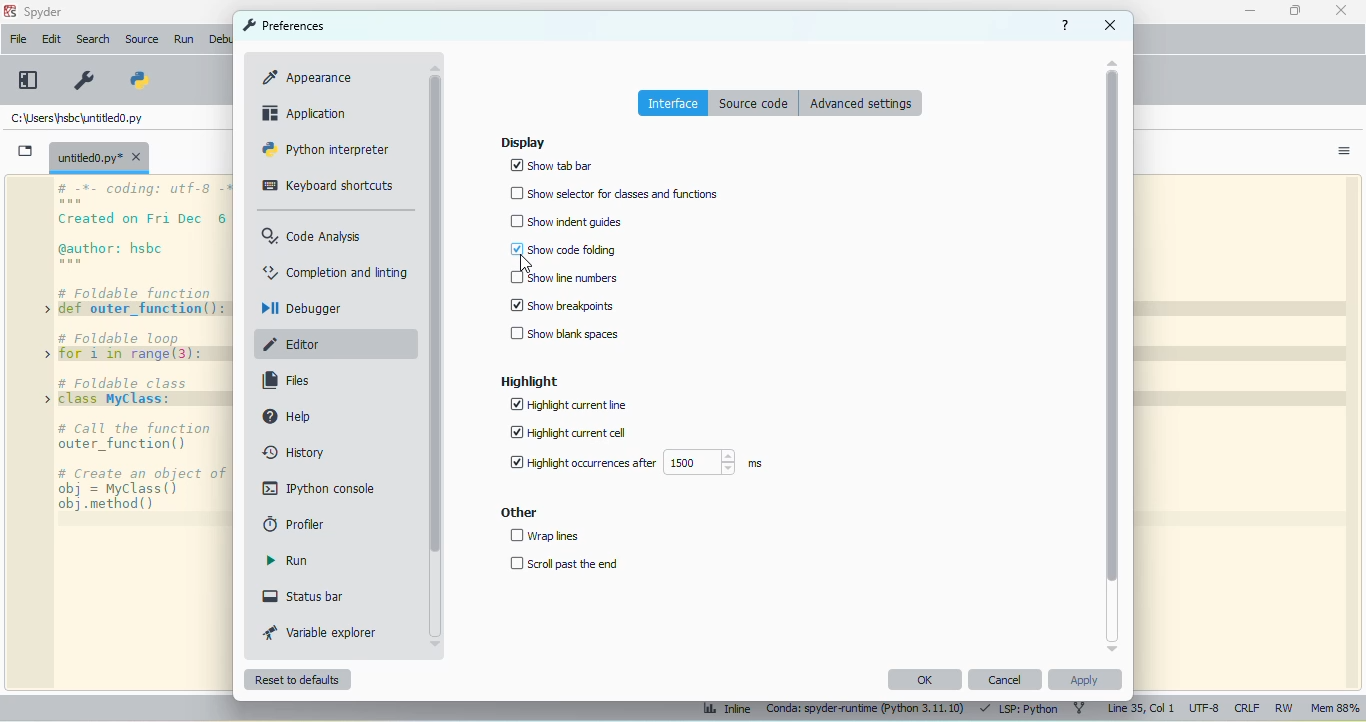 This screenshot has height=722, width=1366. What do you see at coordinates (327, 185) in the screenshot?
I see `keyboard shortcuts` at bounding box center [327, 185].